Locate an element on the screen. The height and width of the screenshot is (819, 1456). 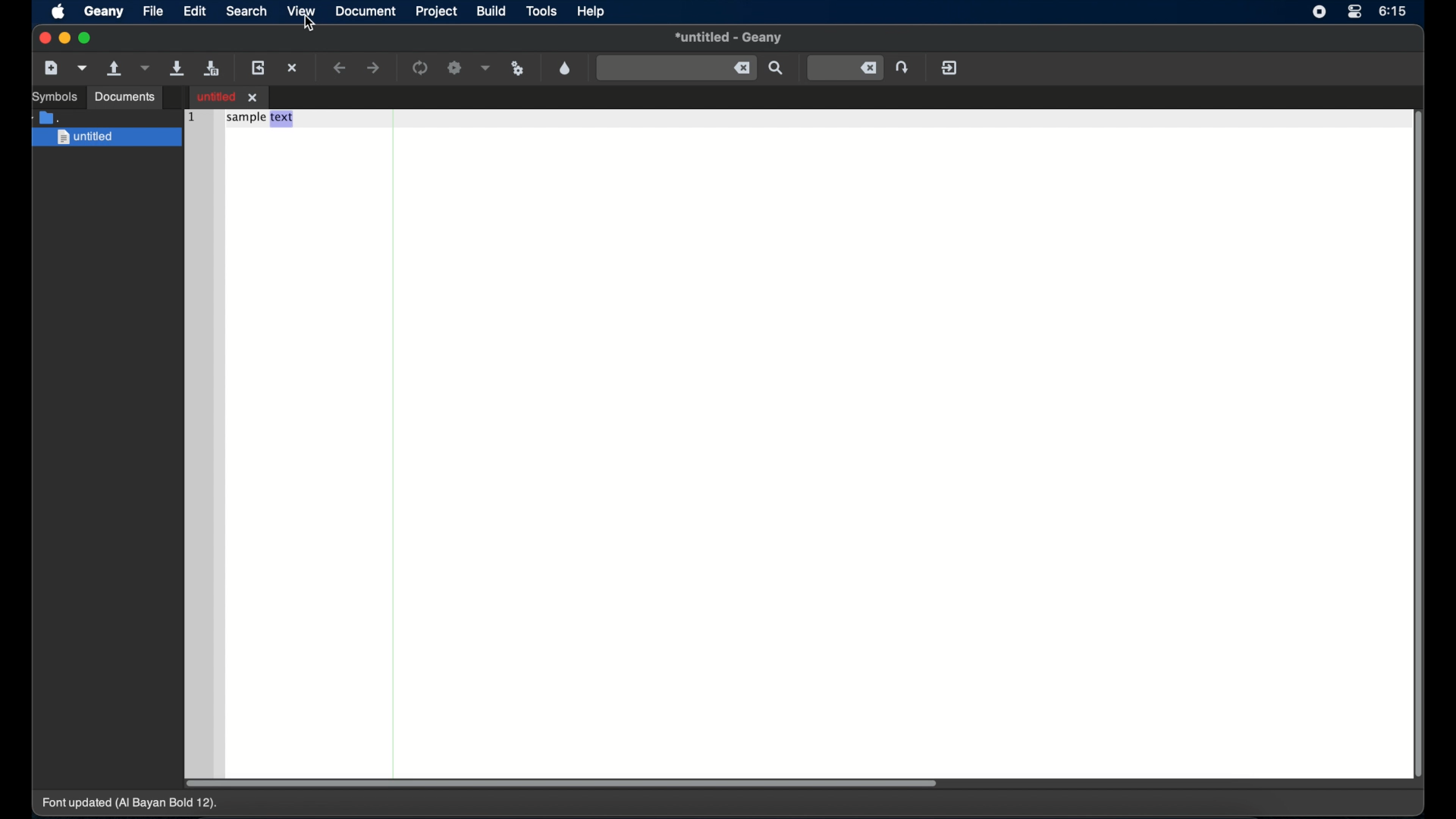
sample text is located at coordinates (261, 119).